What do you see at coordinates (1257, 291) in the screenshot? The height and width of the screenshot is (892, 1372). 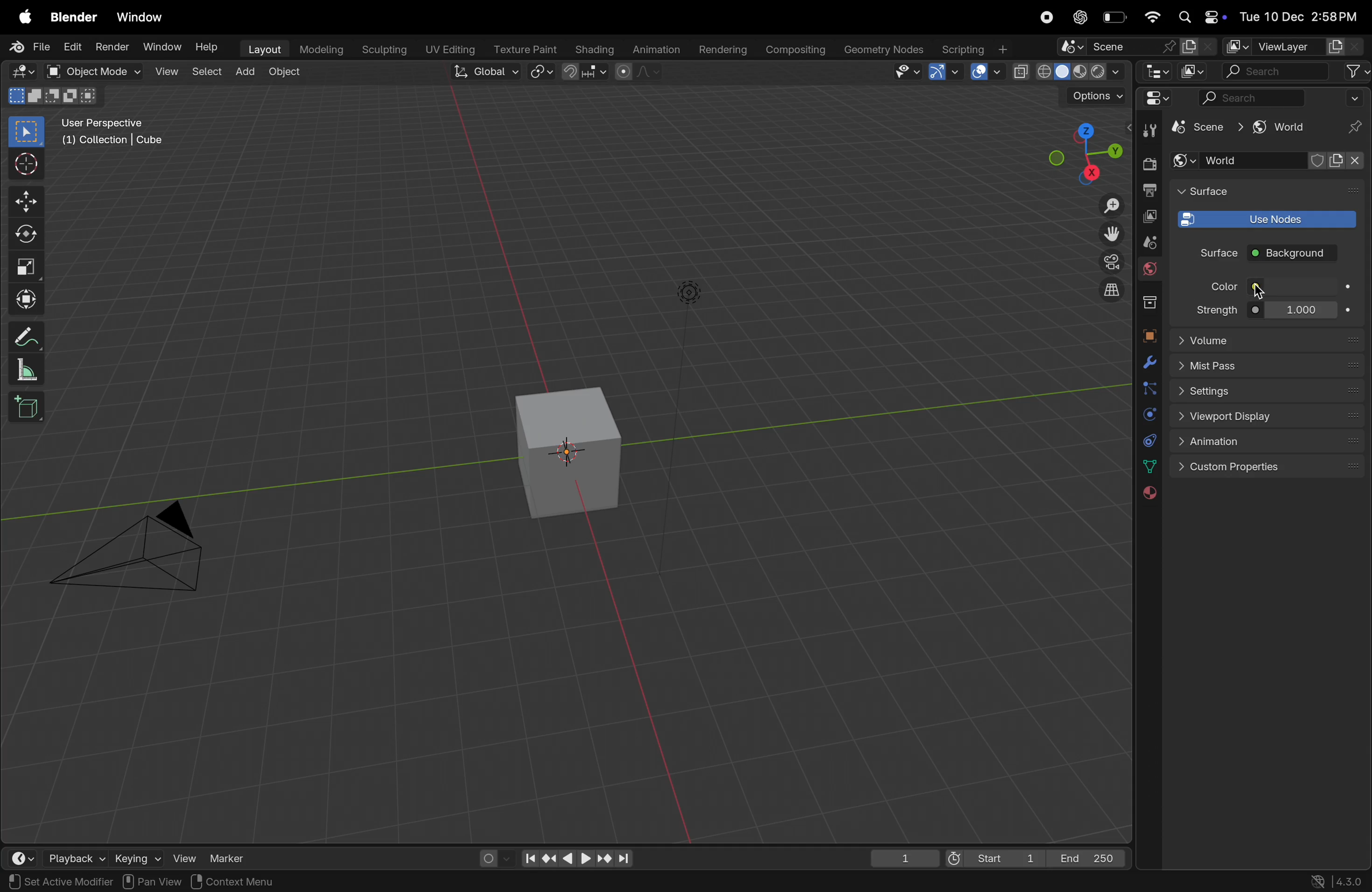 I see `cursor` at bounding box center [1257, 291].